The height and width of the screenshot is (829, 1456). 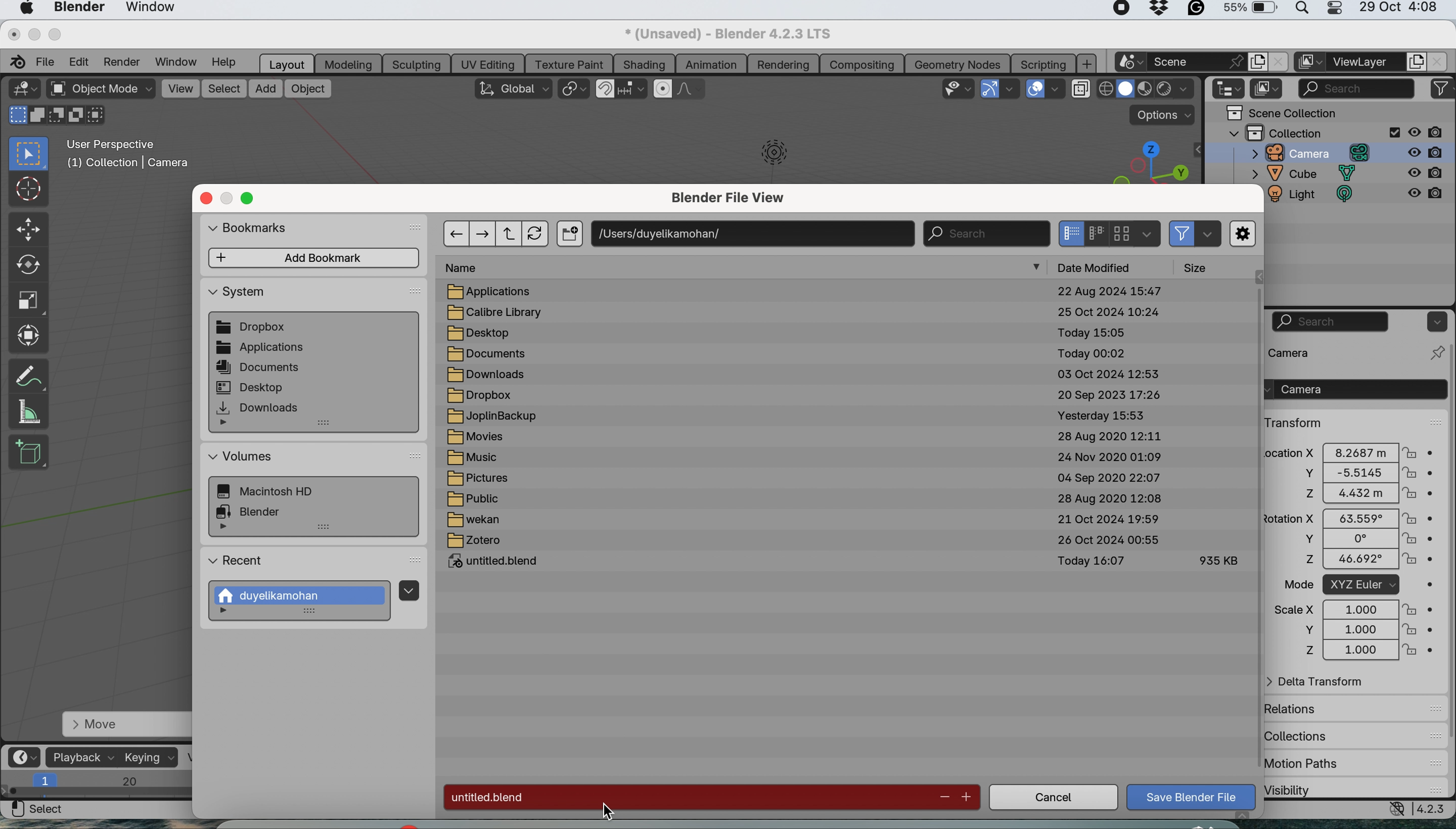 I want to click on search, so click(x=1356, y=87).